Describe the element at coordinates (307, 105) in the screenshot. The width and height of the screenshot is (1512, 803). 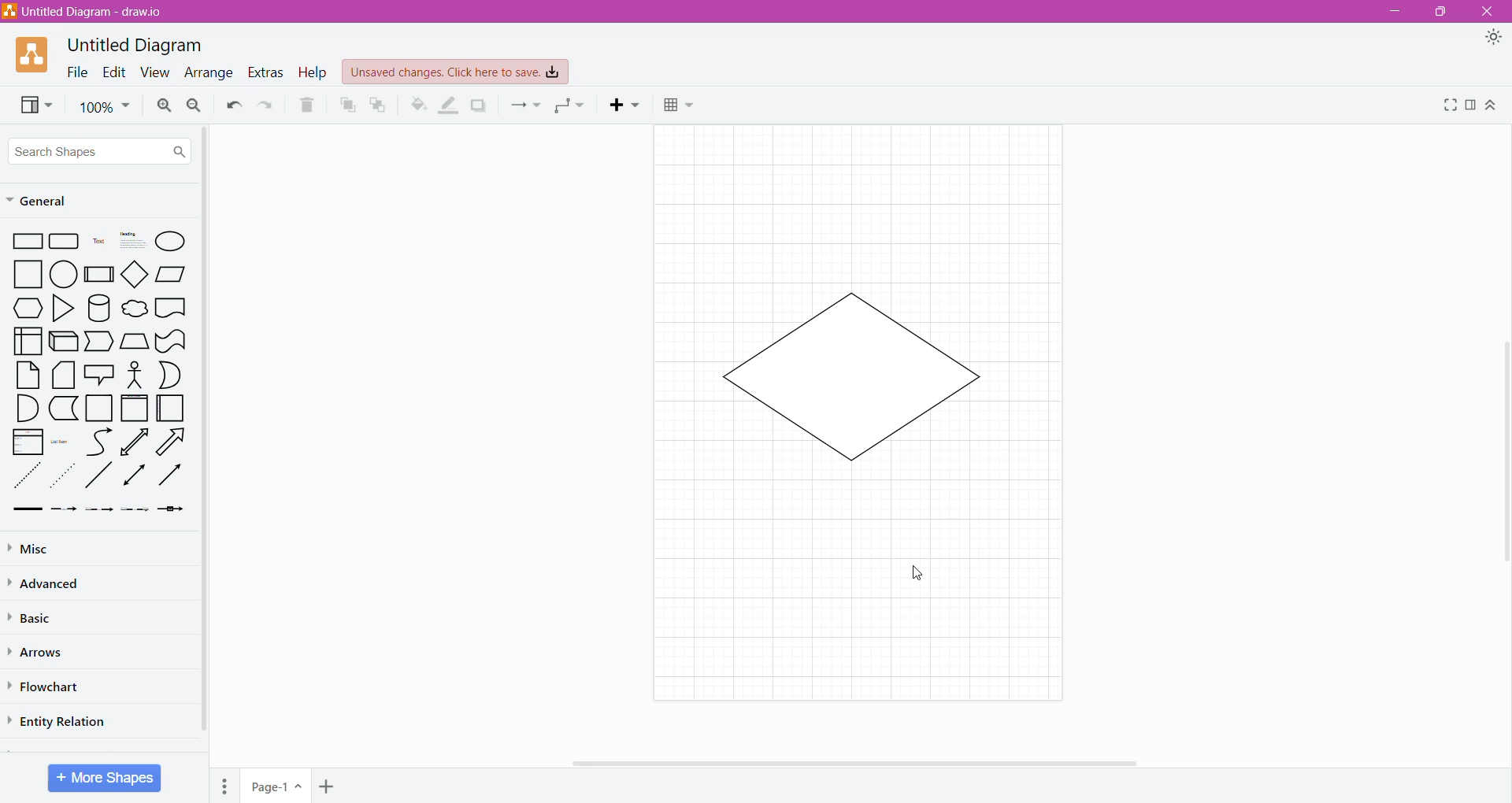
I see `Delete` at that location.